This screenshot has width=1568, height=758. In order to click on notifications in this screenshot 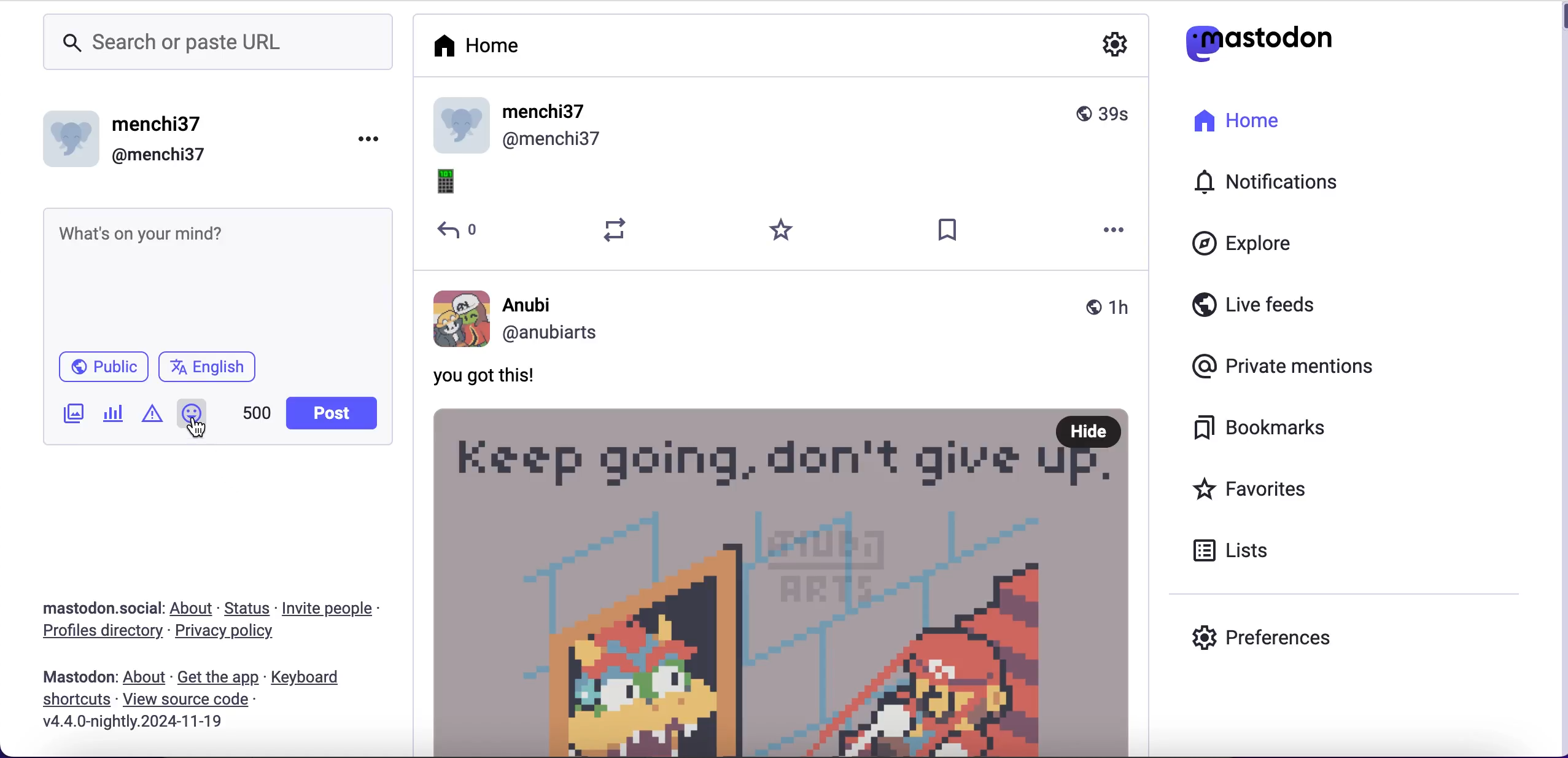, I will do `click(1278, 181)`.